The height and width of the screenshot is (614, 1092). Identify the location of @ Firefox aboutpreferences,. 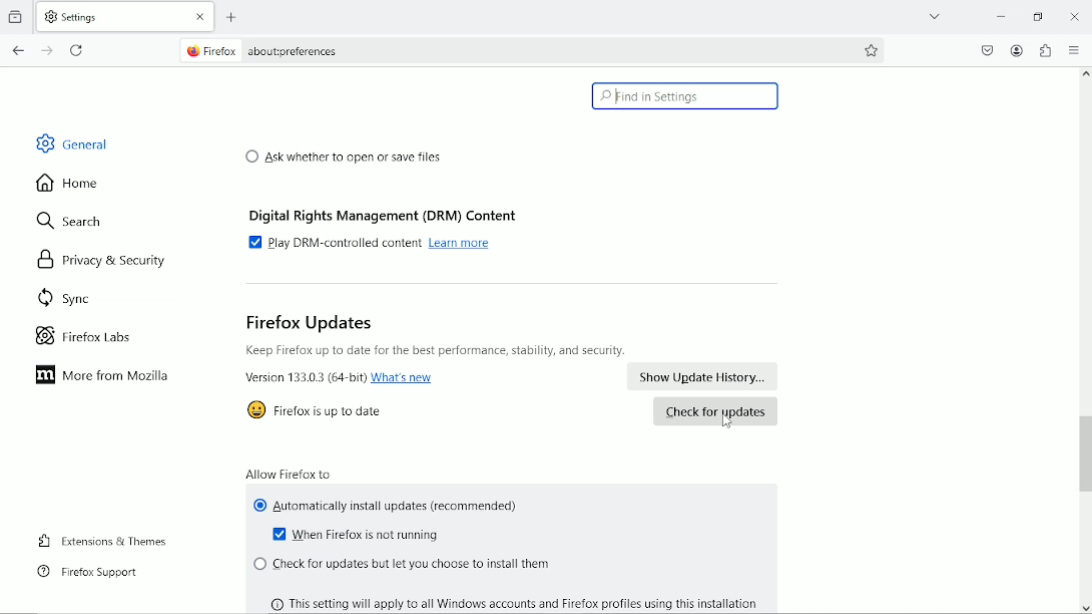
(281, 52).